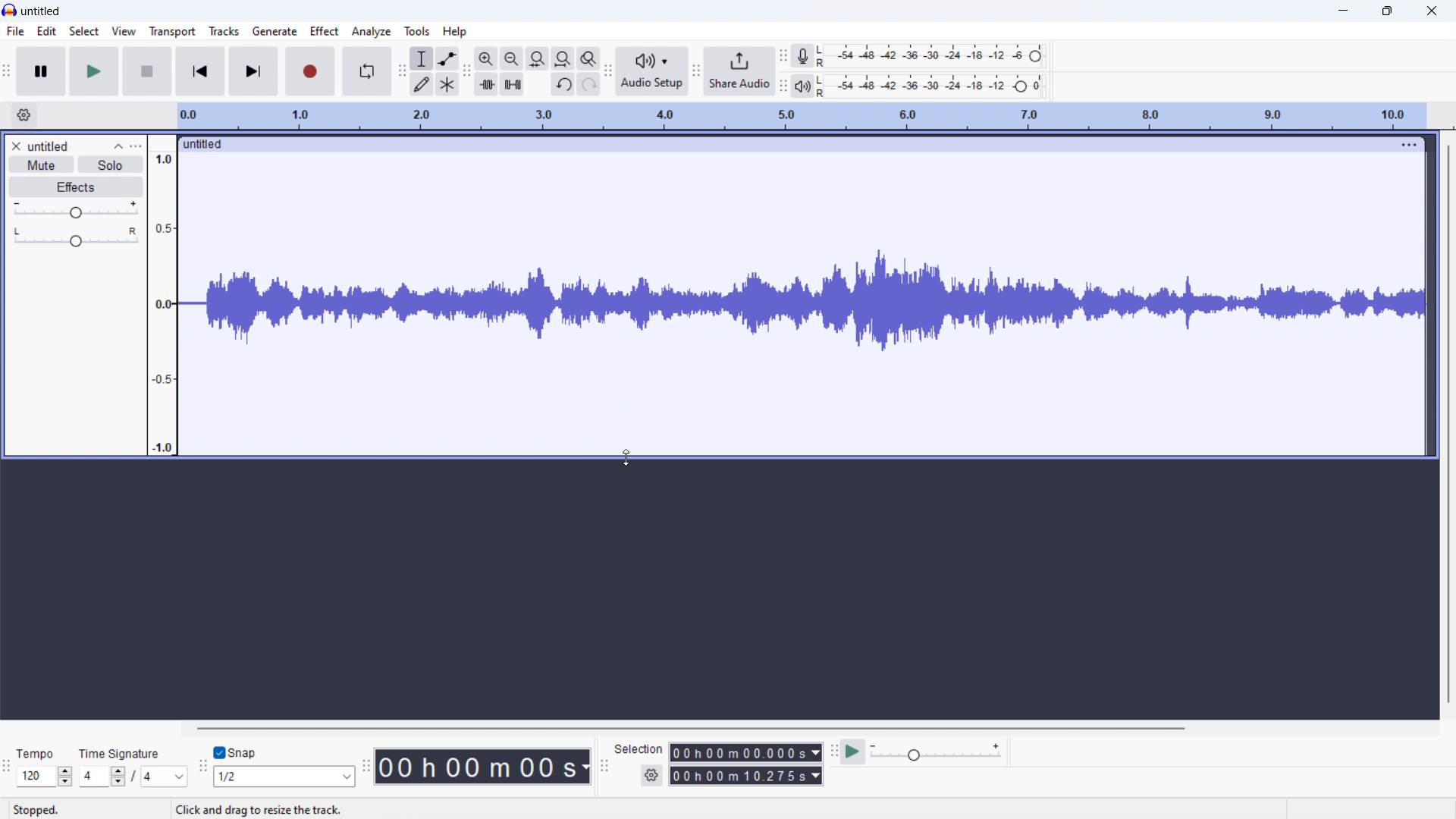 This screenshot has width=1456, height=819. I want to click on playback speed, so click(938, 752).